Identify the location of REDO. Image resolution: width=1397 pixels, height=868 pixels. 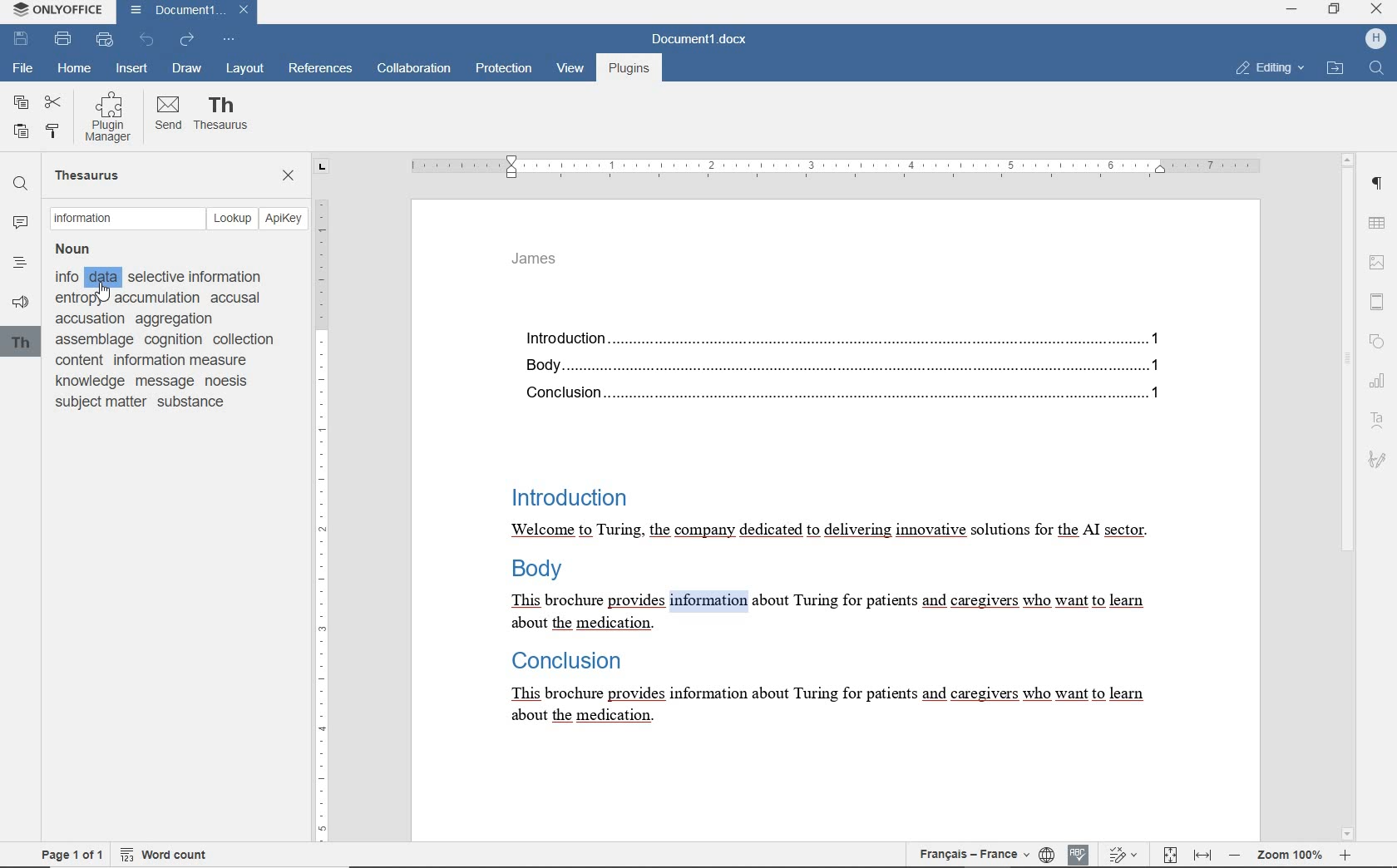
(188, 41).